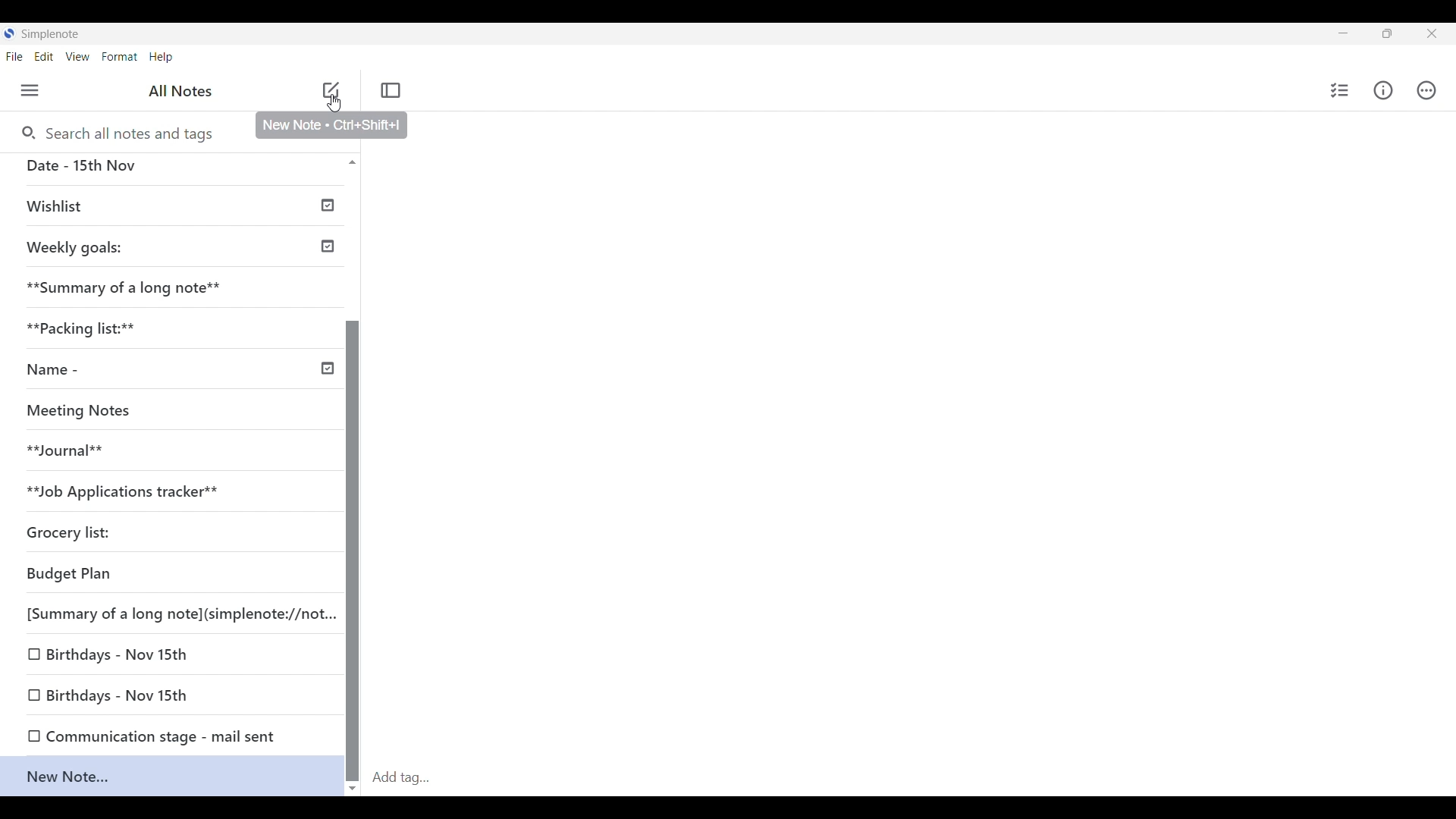 The image size is (1456, 819). Describe the element at coordinates (71, 533) in the screenshot. I see `Grocery list:` at that location.